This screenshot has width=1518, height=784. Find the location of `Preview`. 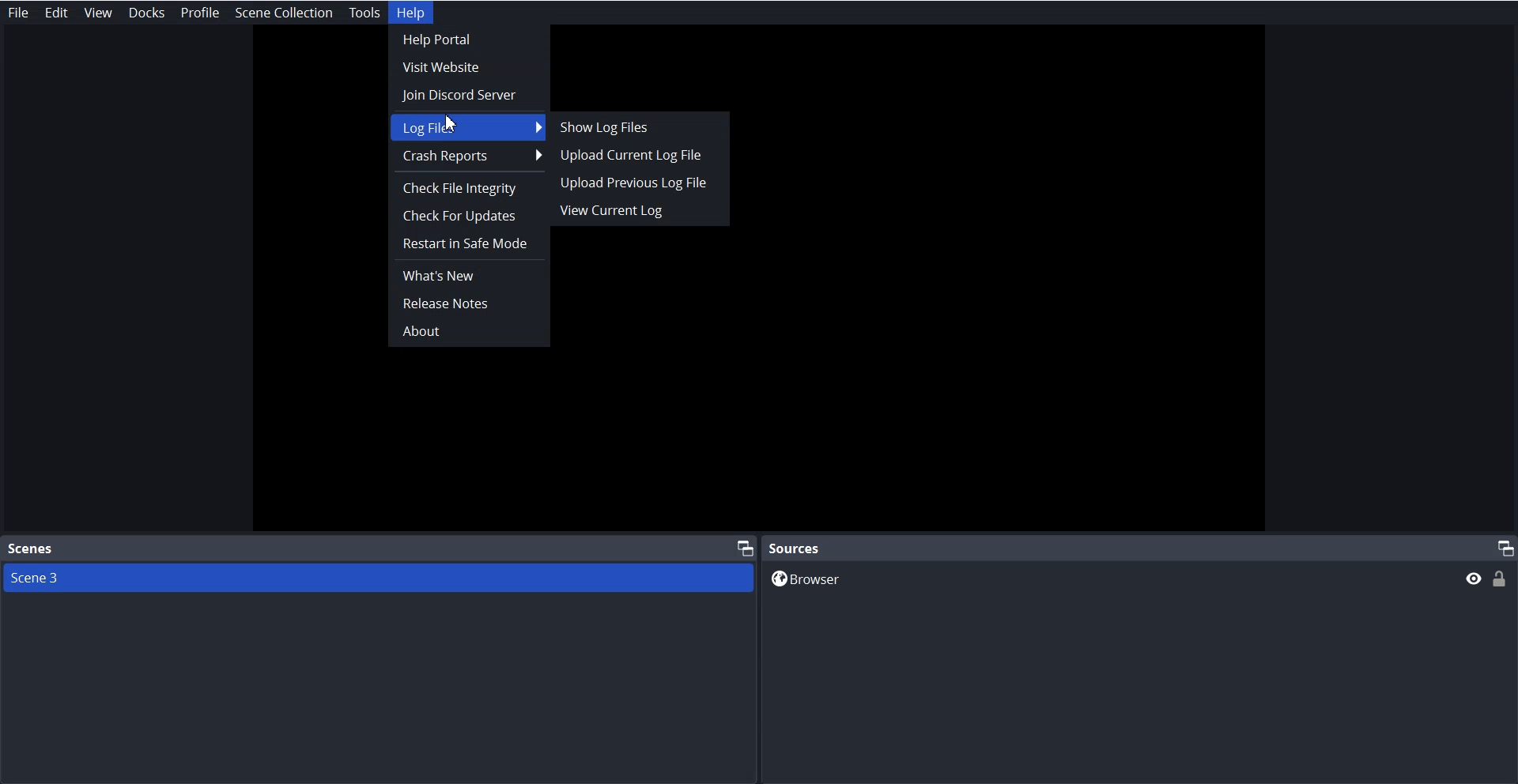

Preview is located at coordinates (1472, 580).